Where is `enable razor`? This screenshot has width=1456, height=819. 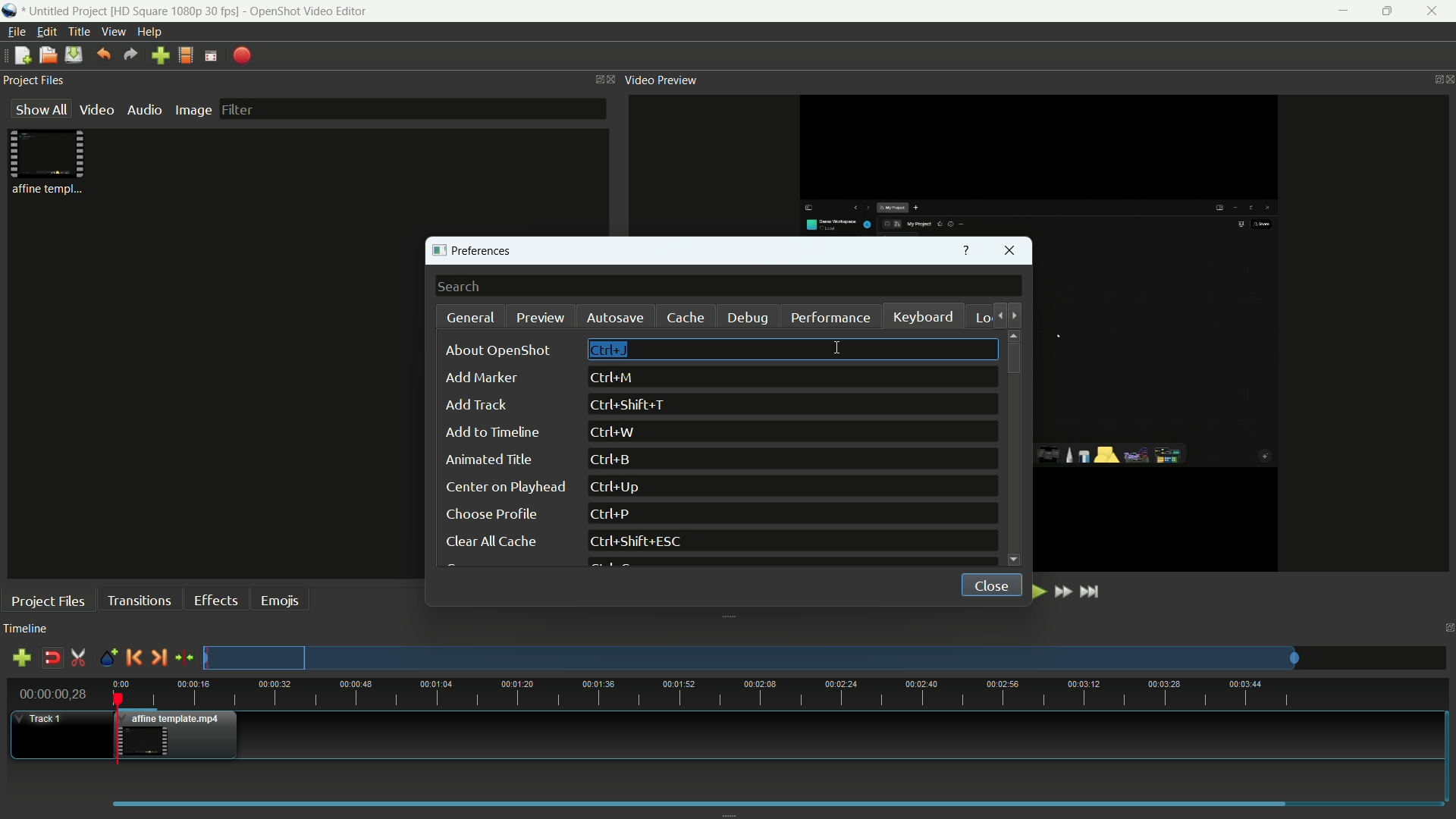
enable razor is located at coordinates (78, 658).